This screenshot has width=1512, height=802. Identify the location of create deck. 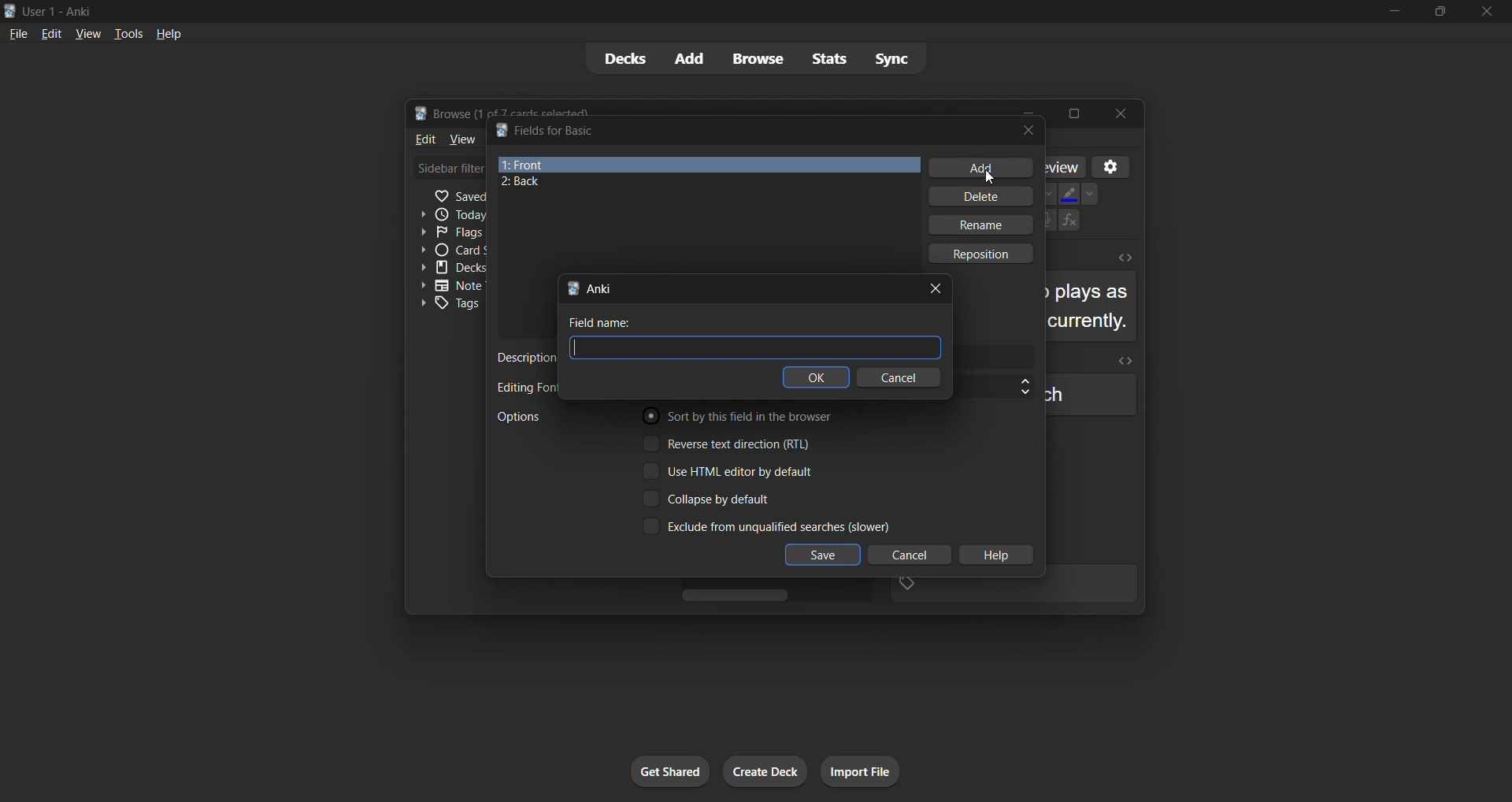
(767, 774).